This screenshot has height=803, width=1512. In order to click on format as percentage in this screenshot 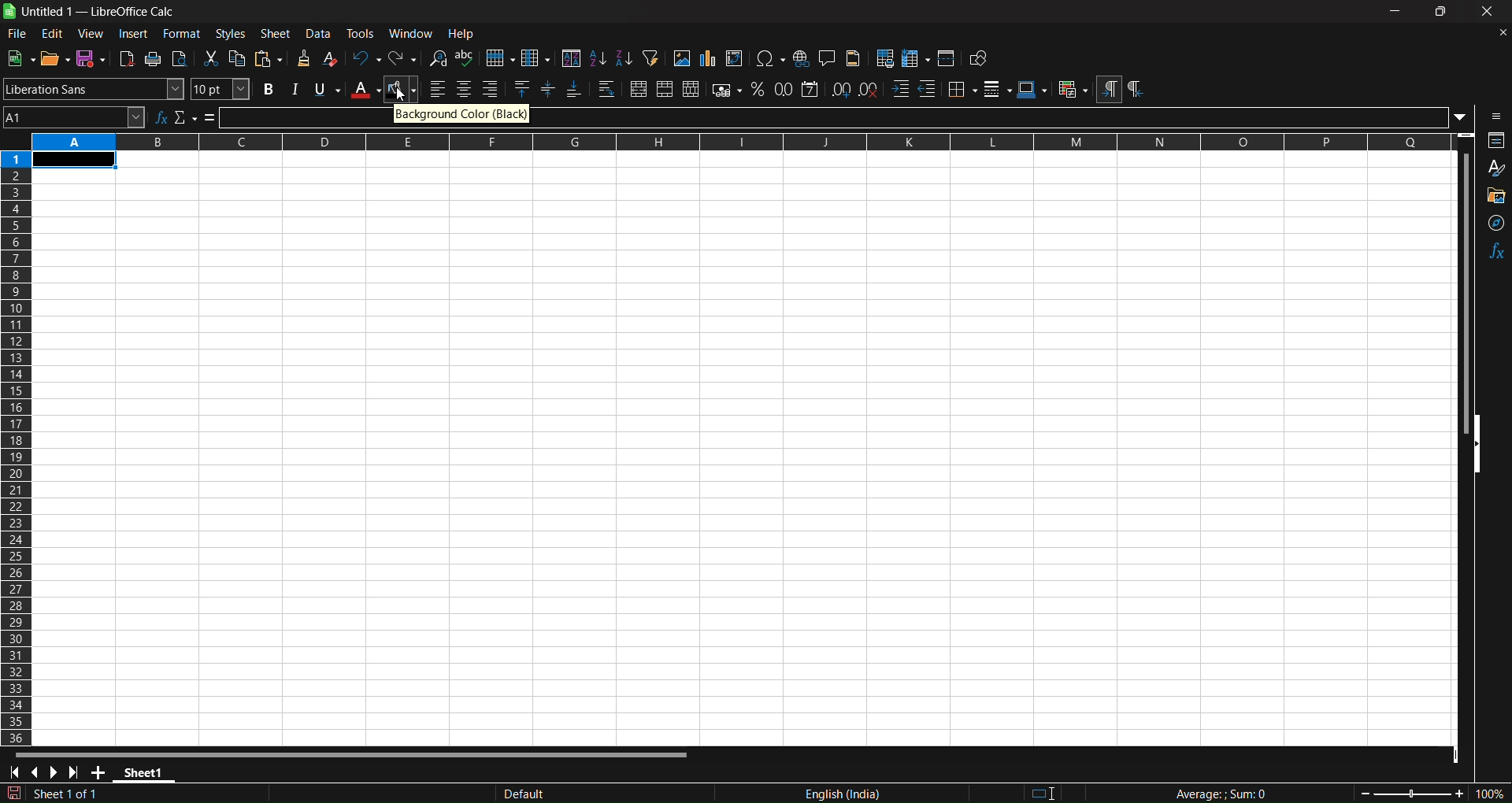, I will do `click(758, 90)`.